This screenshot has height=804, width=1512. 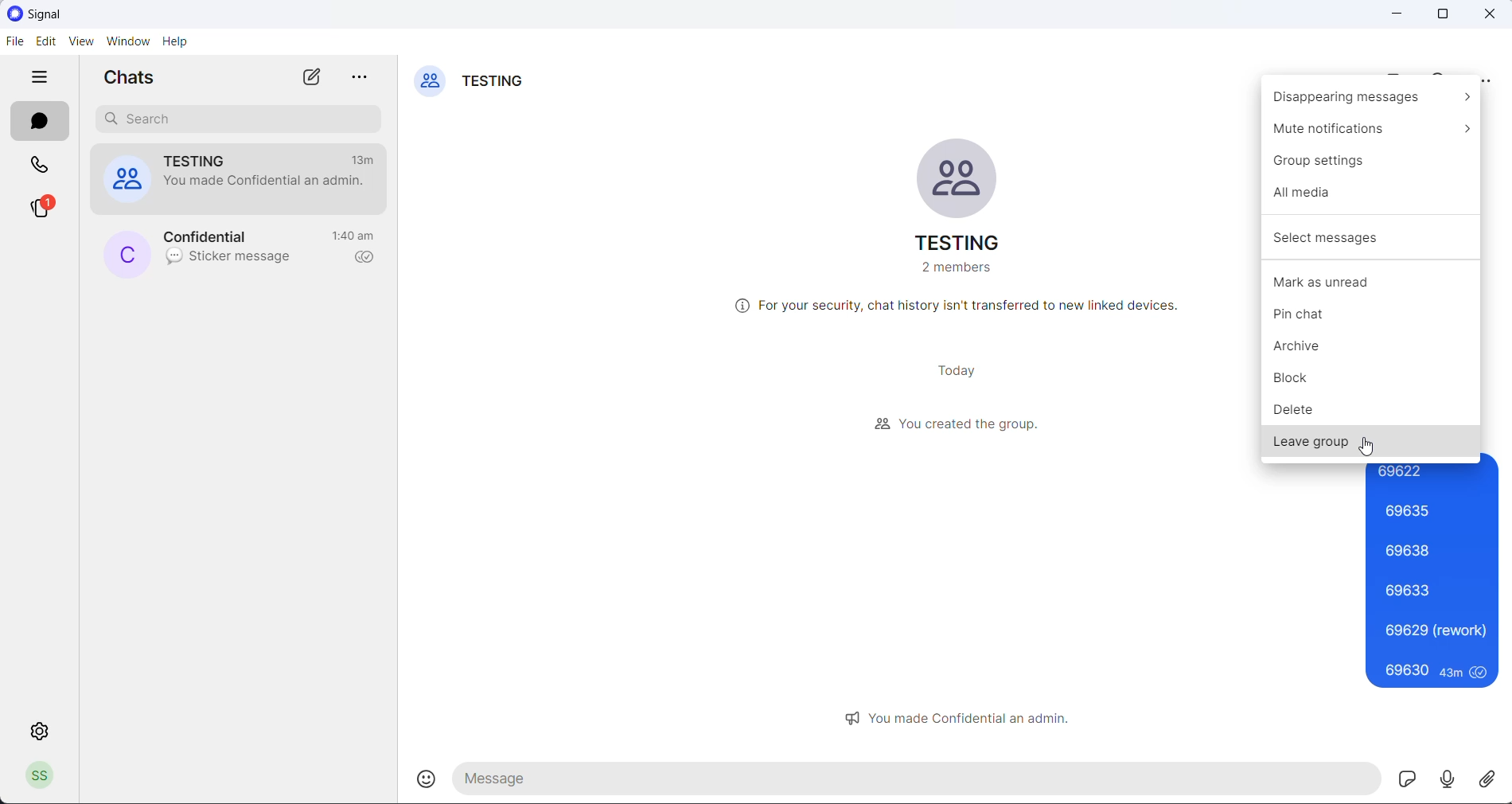 I want to click on security related text, so click(x=960, y=307).